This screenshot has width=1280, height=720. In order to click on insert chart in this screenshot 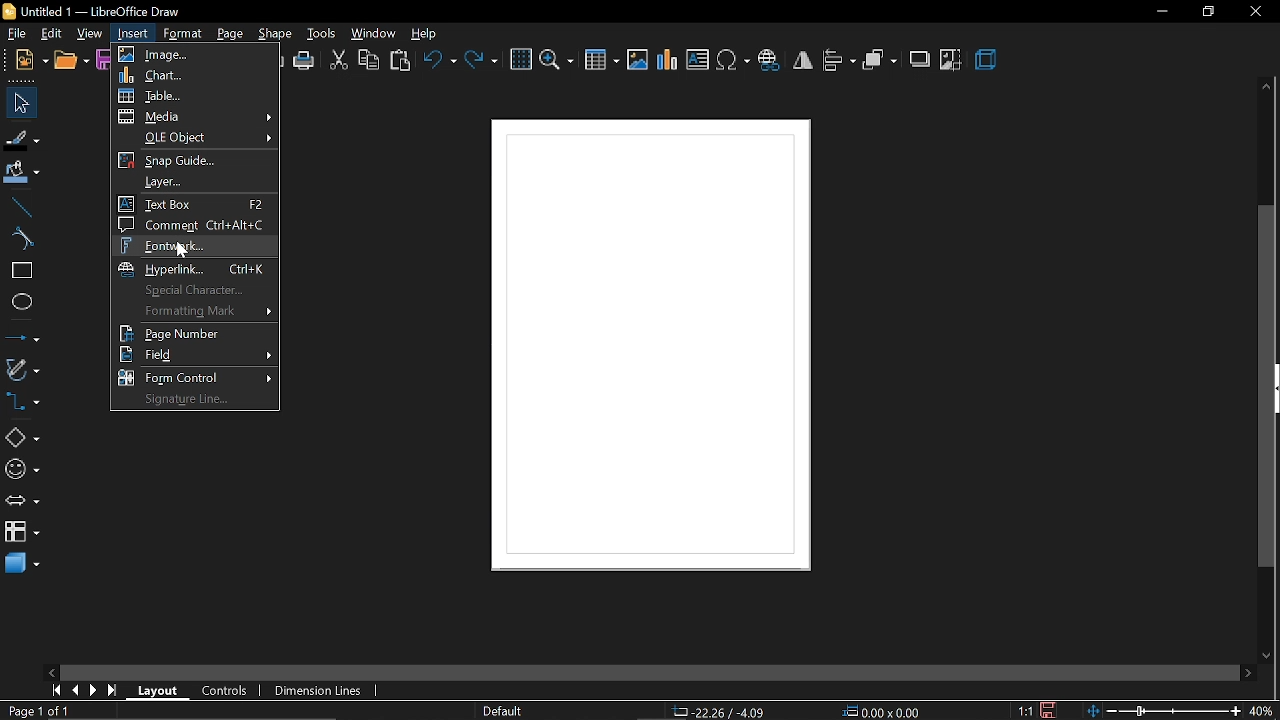, I will do `click(668, 63)`.